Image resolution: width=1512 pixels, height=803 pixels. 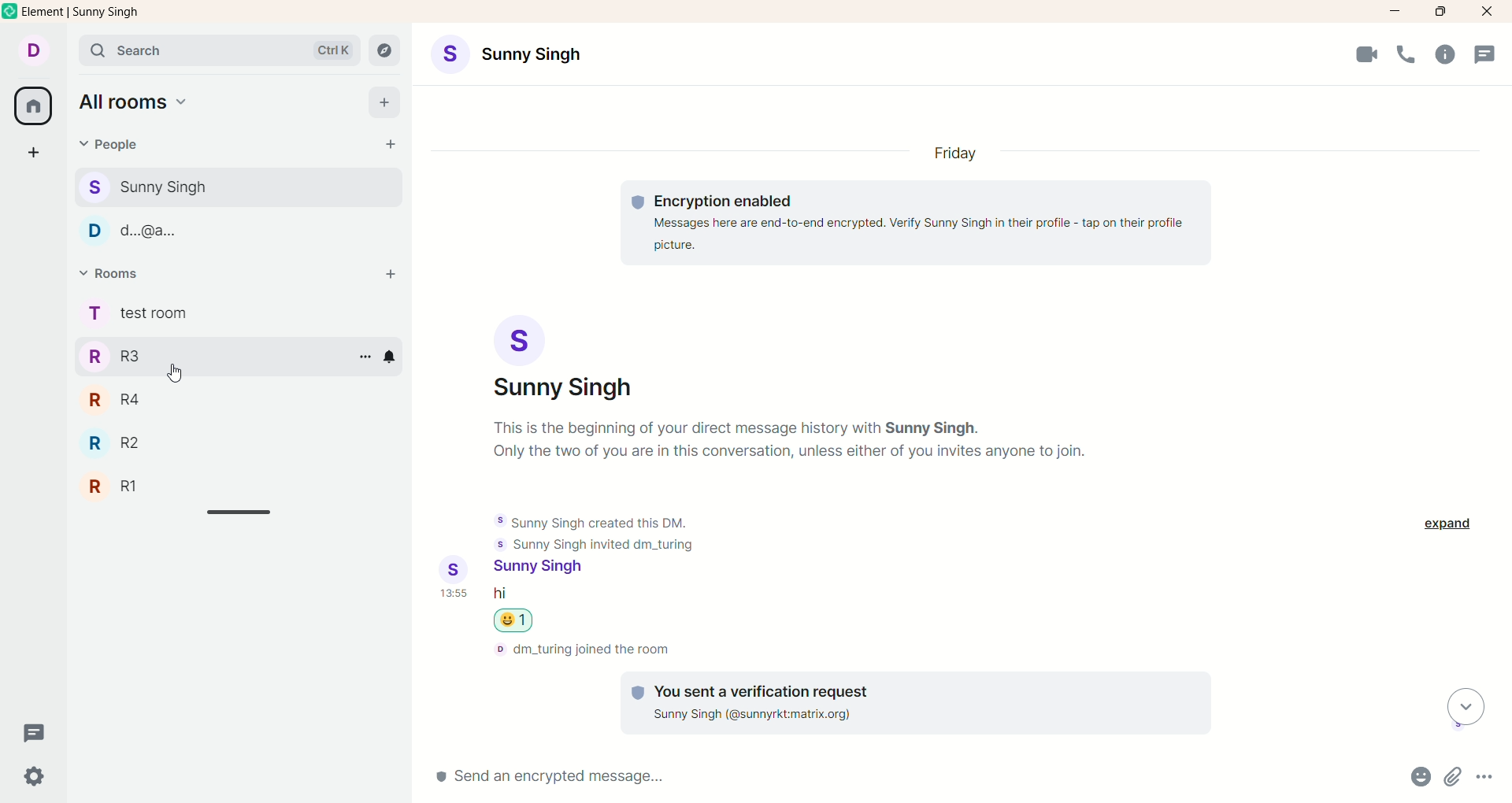 What do you see at coordinates (1450, 526) in the screenshot?
I see `expand` at bounding box center [1450, 526].